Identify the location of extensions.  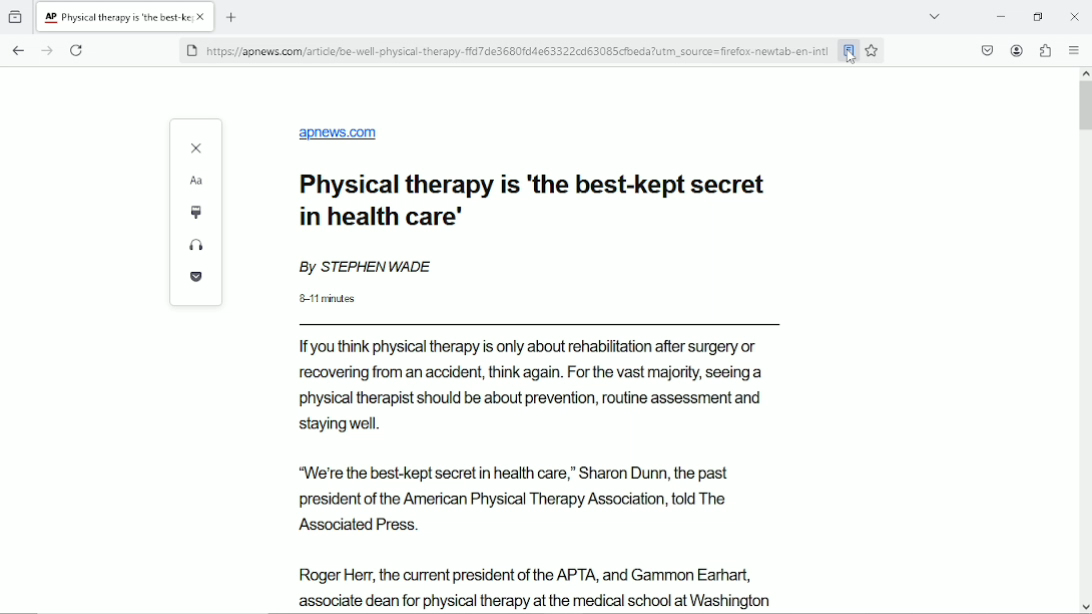
(1045, 50).